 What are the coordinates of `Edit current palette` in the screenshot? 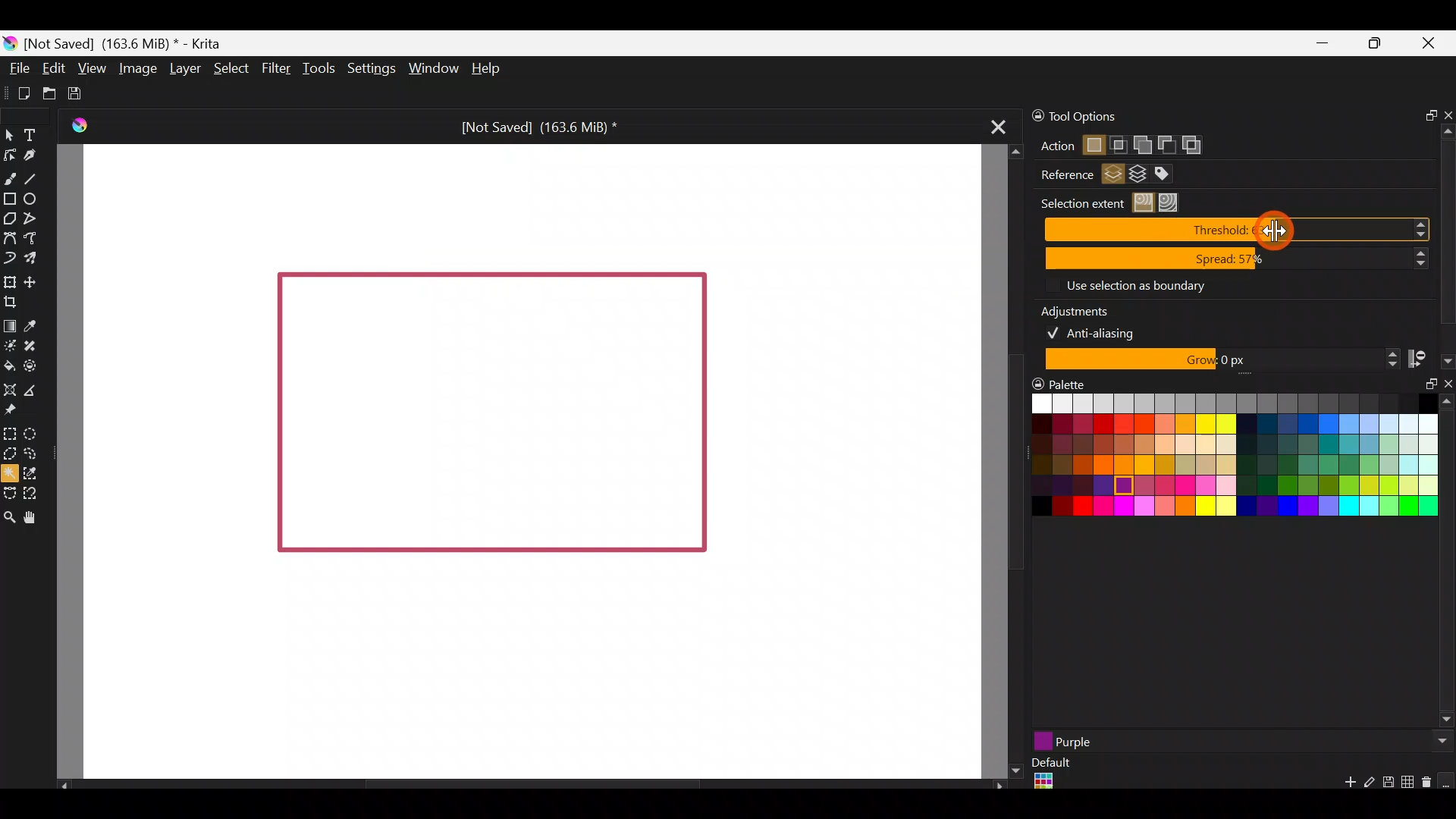 It's located at (1410, 784).